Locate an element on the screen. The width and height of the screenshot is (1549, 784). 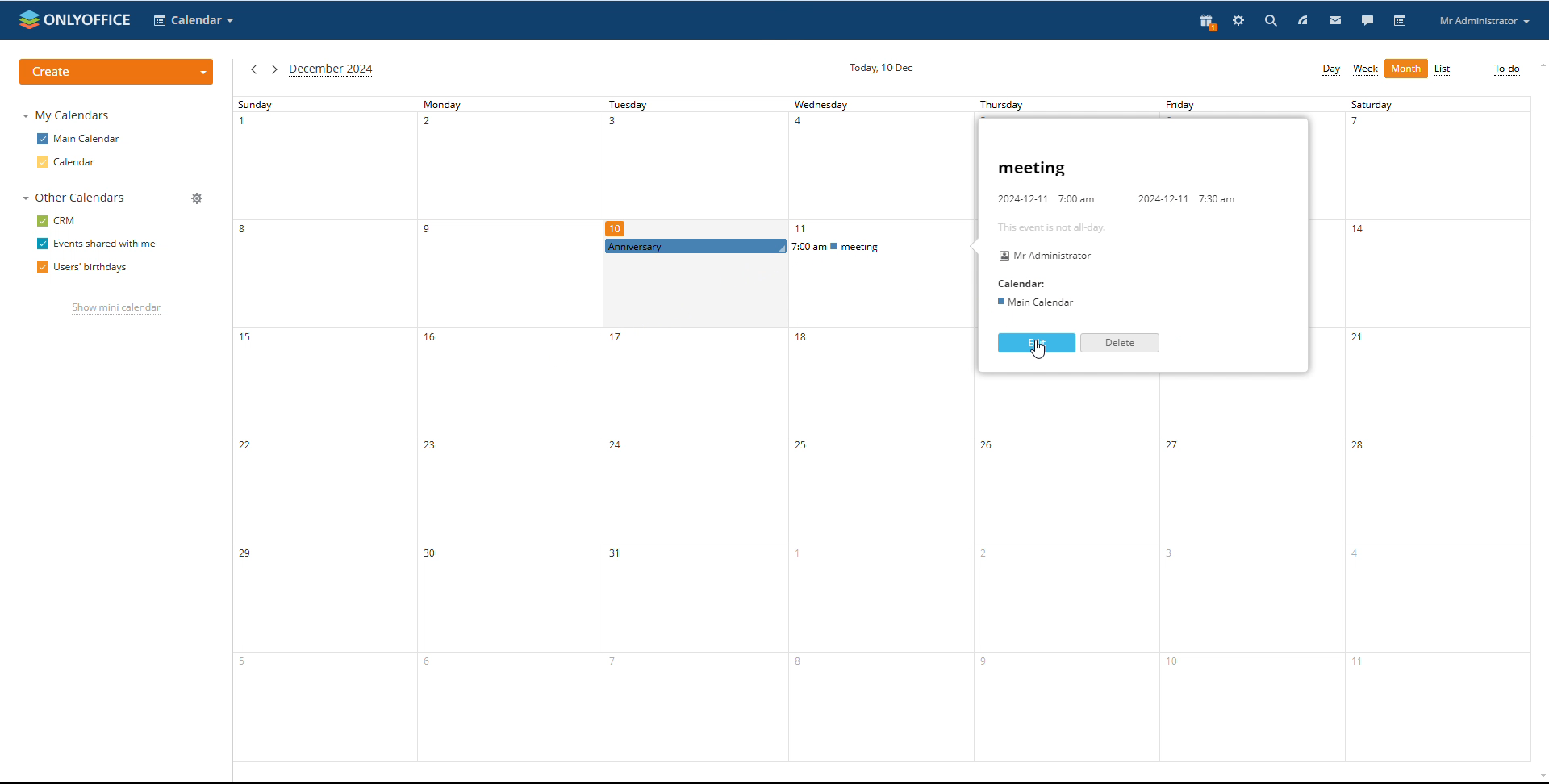
calender is located at coordinates (1025, 283).